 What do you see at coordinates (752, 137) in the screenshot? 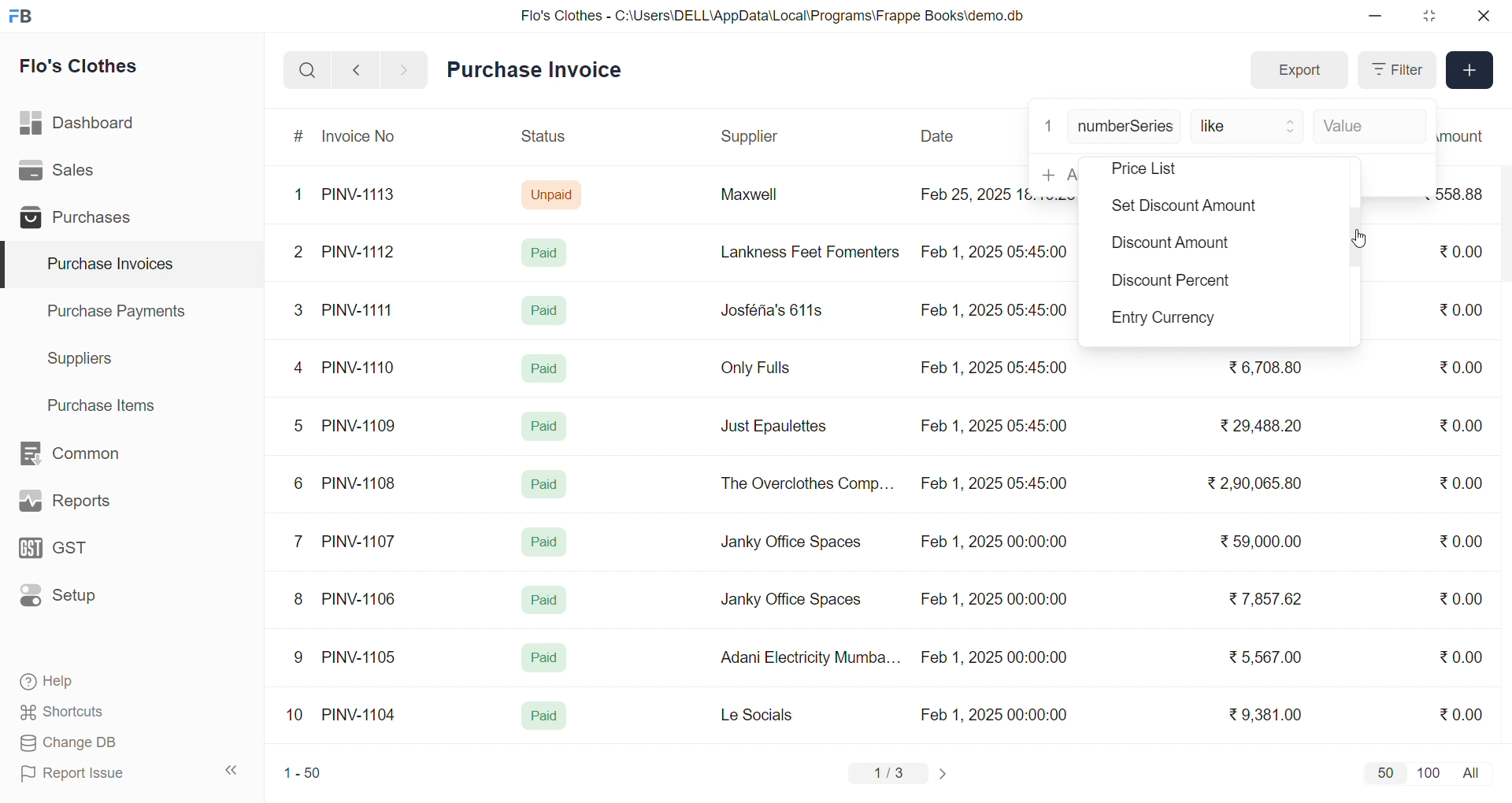
I see `Supplier` at bounding box center [752, 137].